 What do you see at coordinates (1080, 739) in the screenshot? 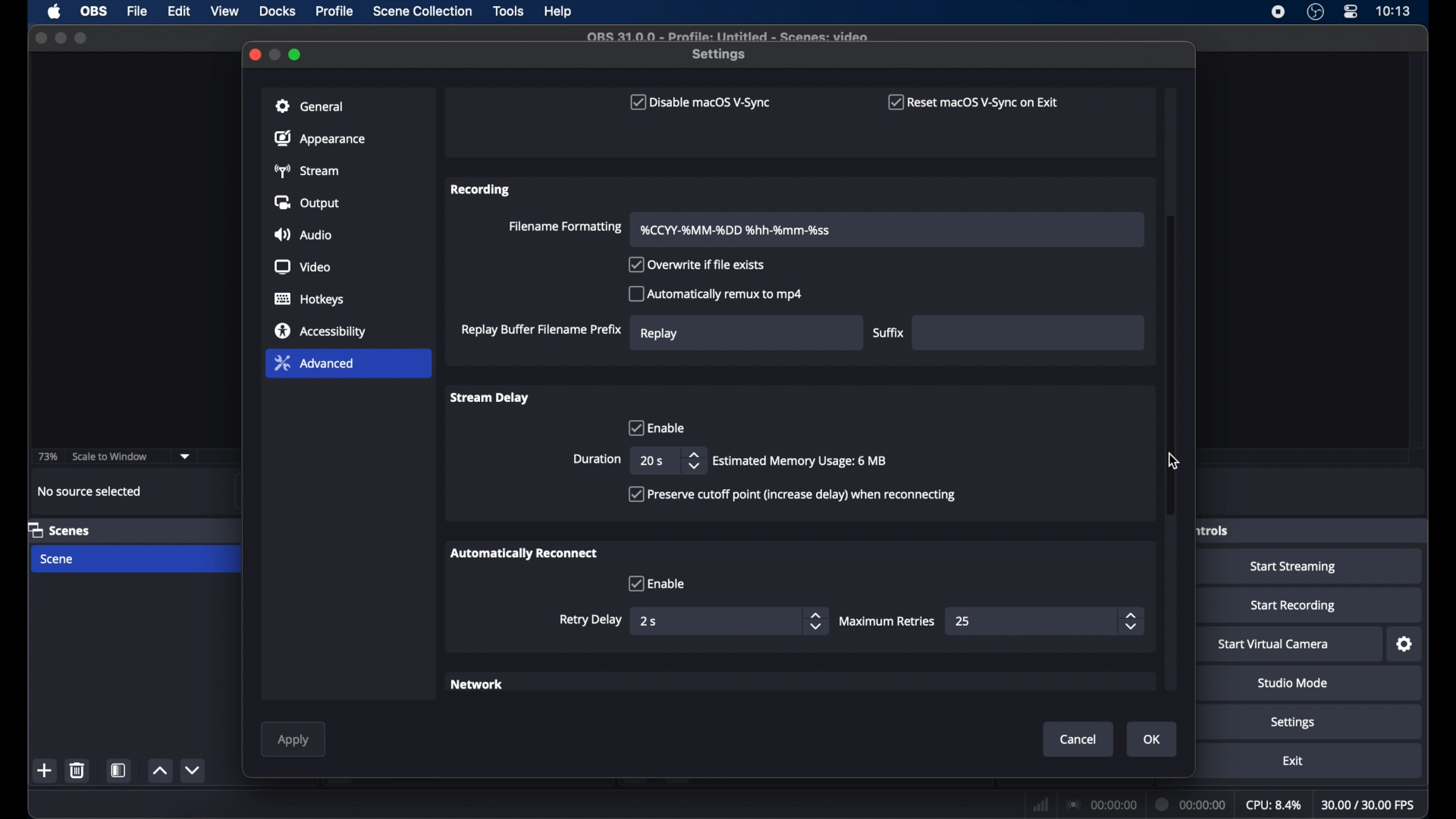
I see `cancel` at bounding box center [1080, 739].